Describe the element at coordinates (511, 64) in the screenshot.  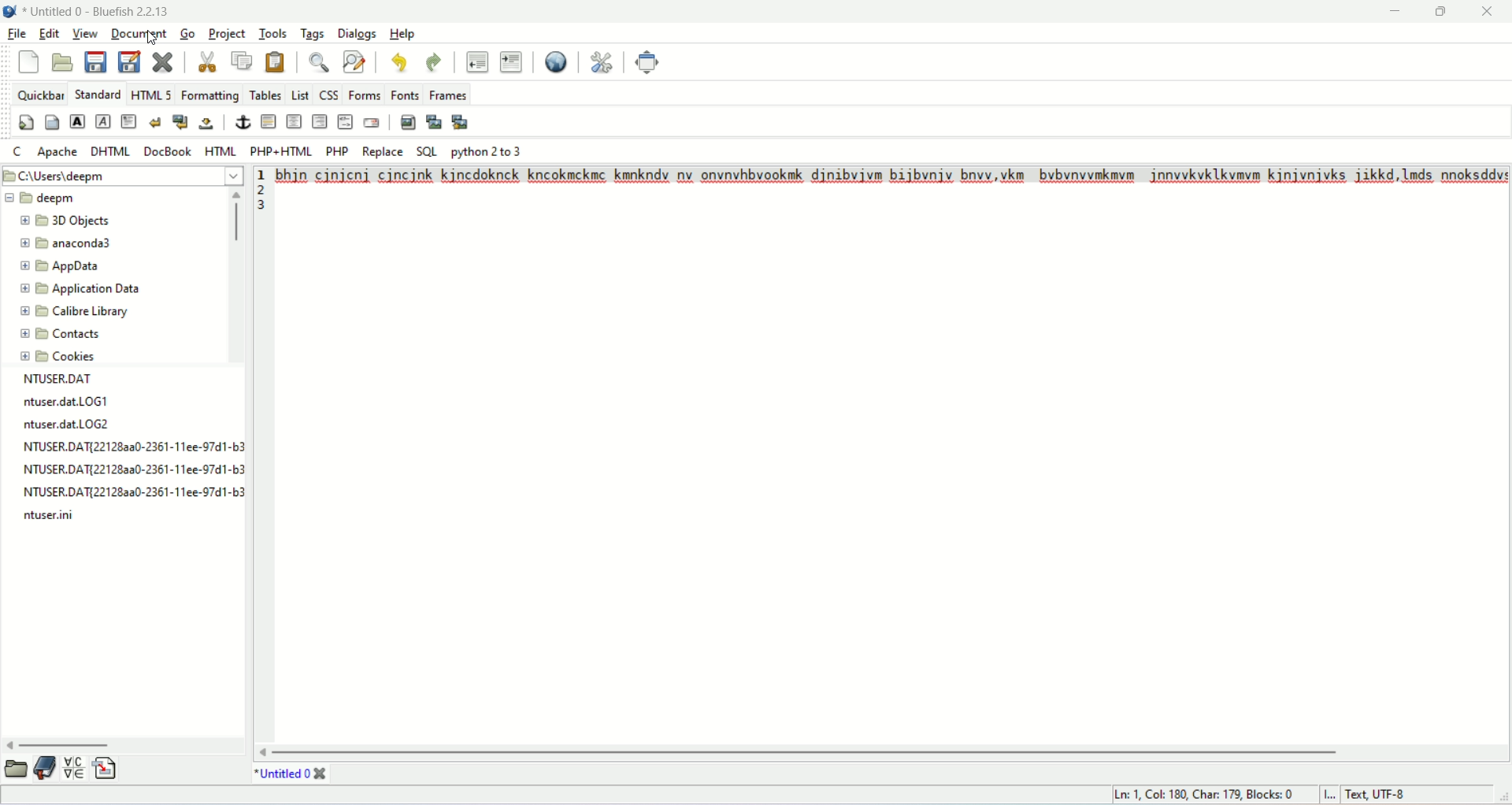
I see `indent` at that location.